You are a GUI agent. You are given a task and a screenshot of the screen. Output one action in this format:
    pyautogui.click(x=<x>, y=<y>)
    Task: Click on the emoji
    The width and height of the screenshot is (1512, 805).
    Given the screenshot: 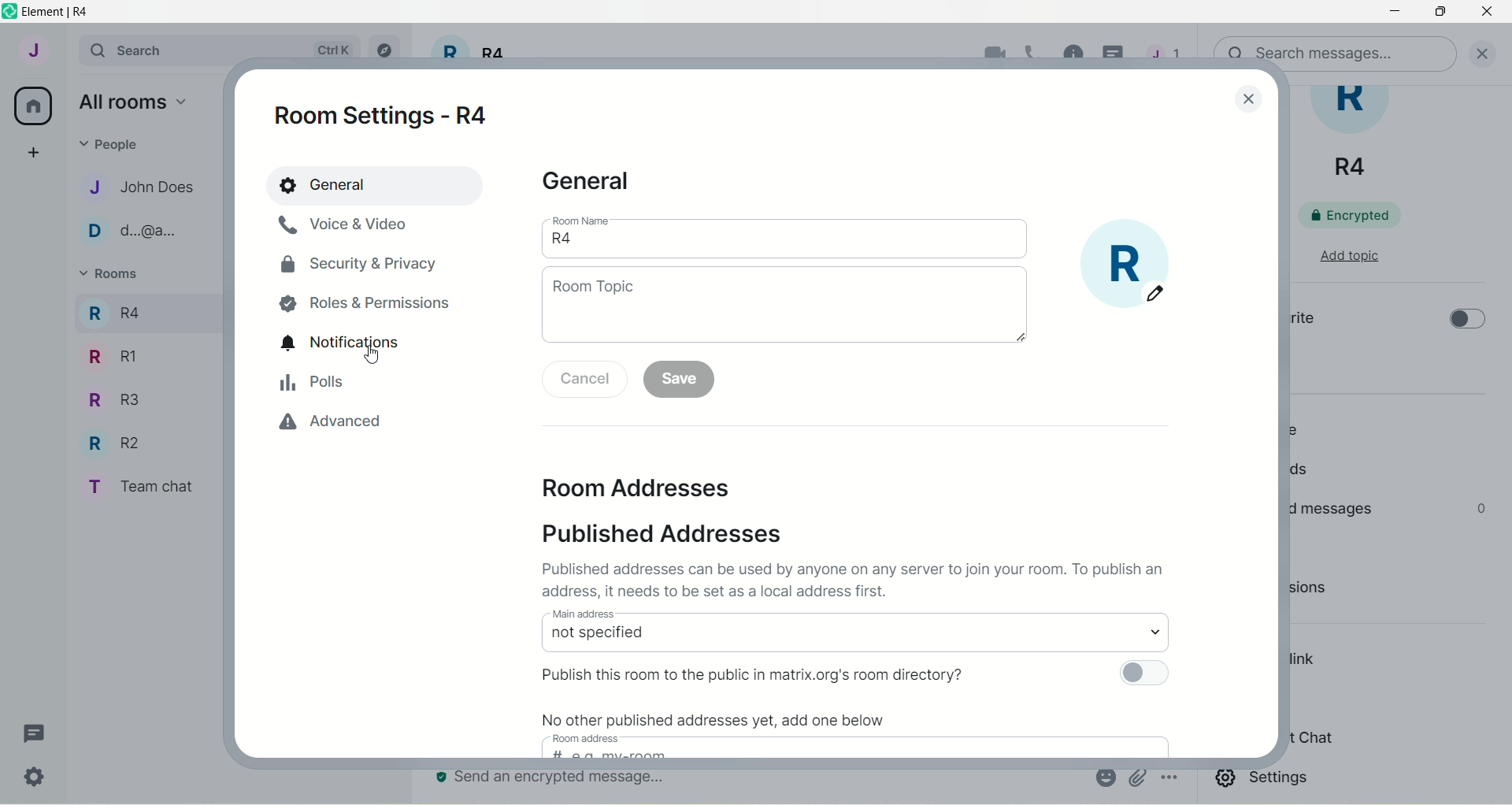 What is the action you would take?
    pyautogui.click(x=1104, y=777)
    